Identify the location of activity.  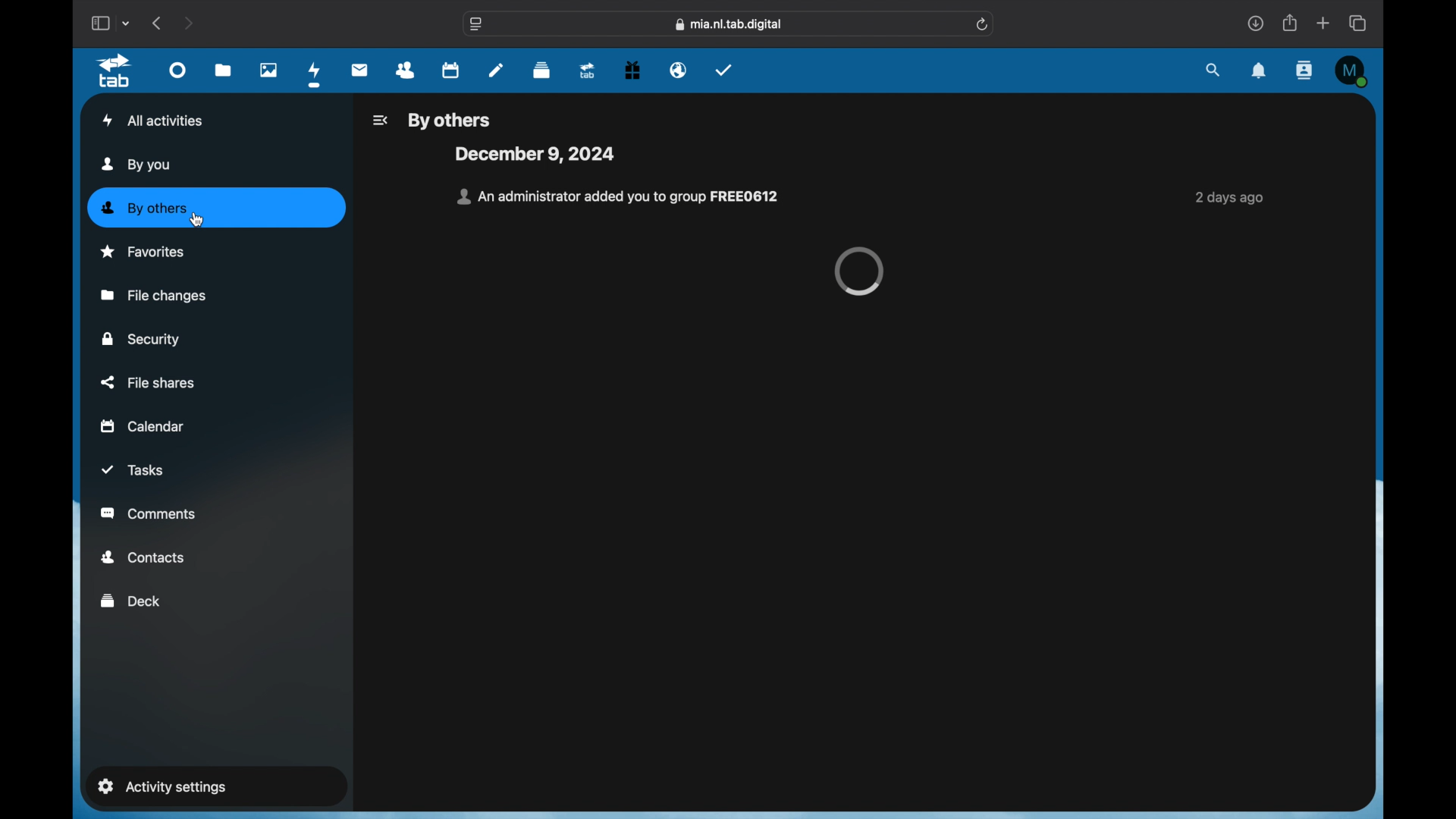
(315, 76).